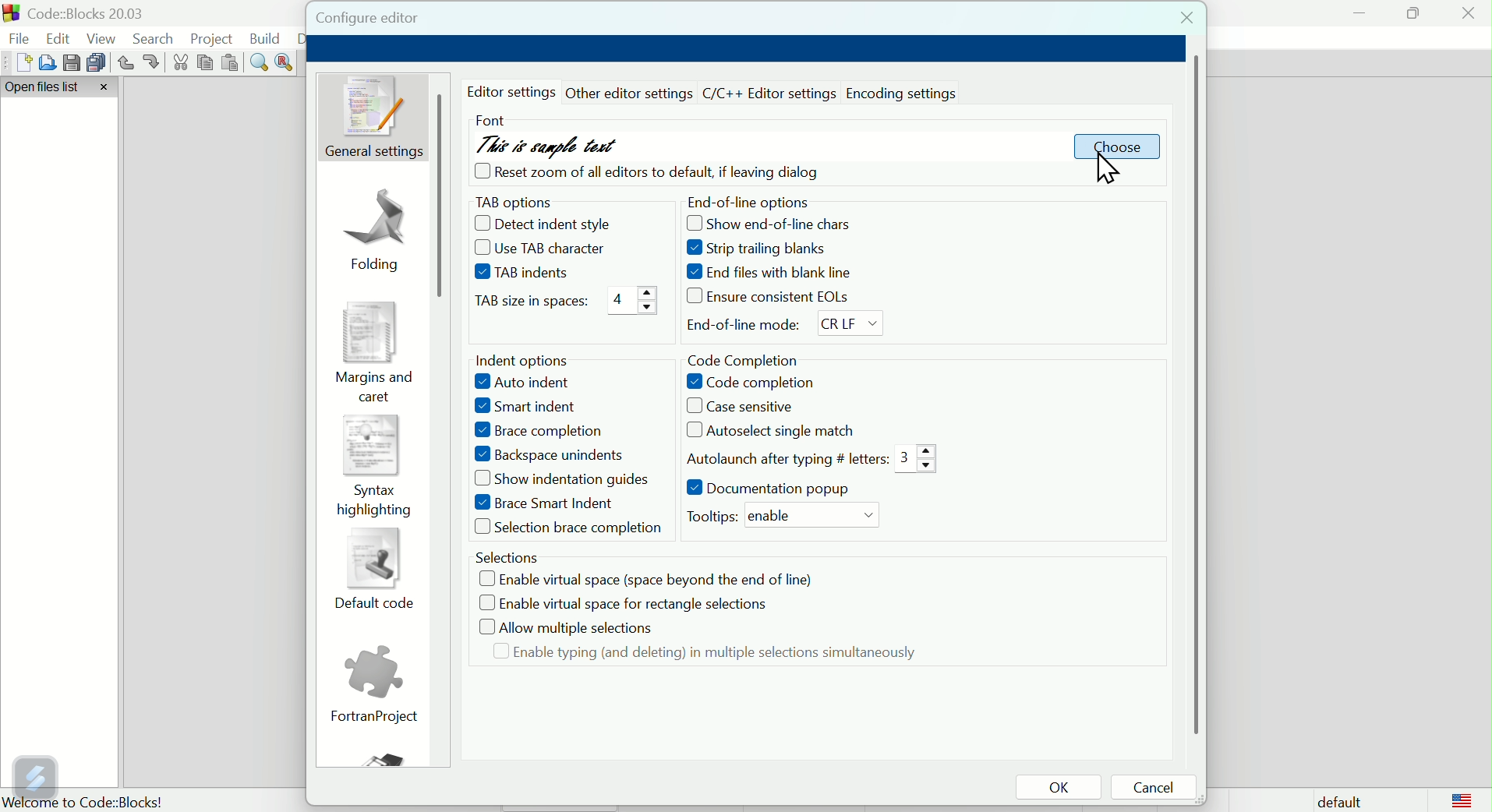 The width and height of the screenshot is (1492, 812). I want to click on Brace Smart Indent, so click(538, 503).